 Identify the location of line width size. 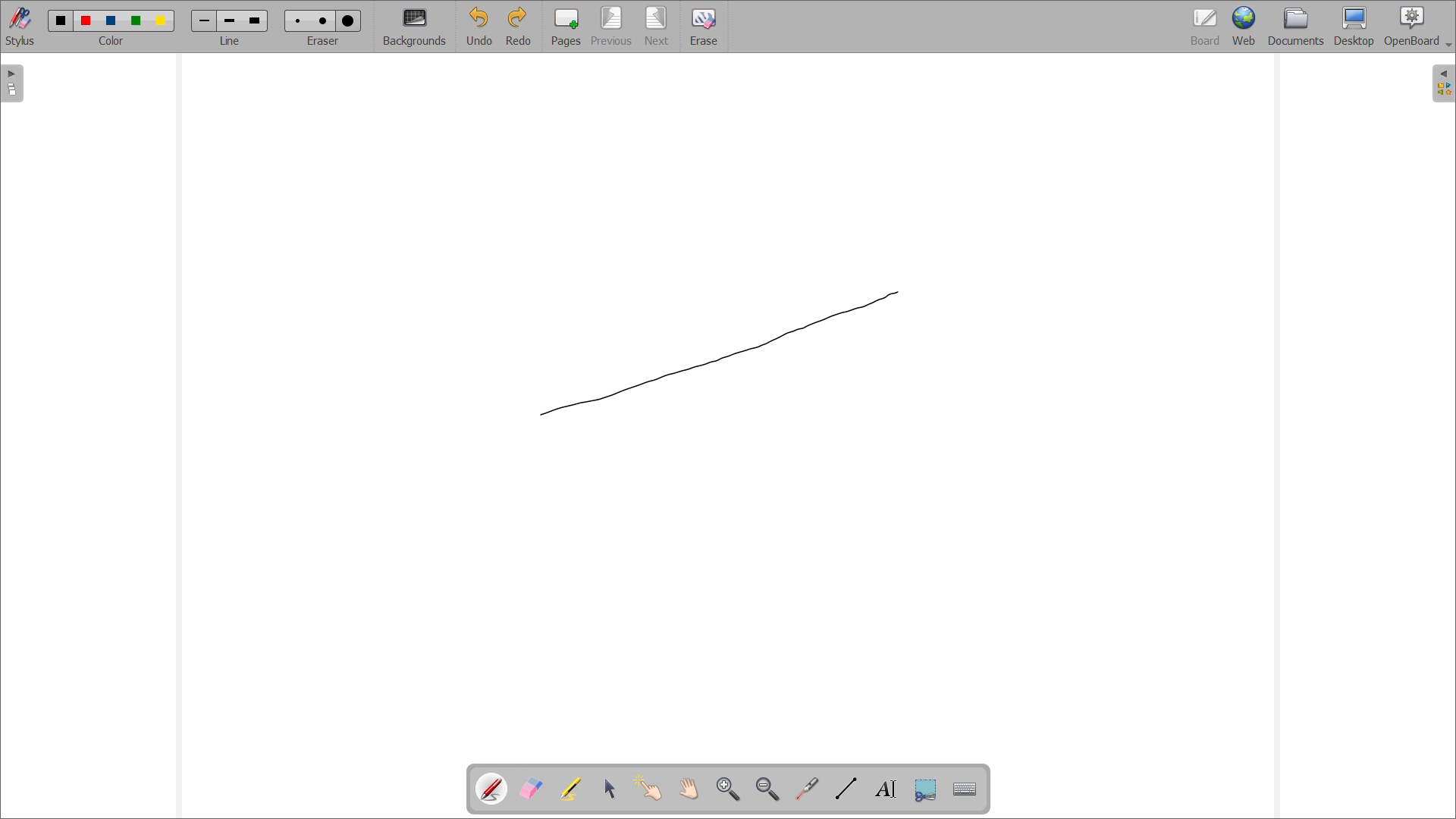
(206, 22).